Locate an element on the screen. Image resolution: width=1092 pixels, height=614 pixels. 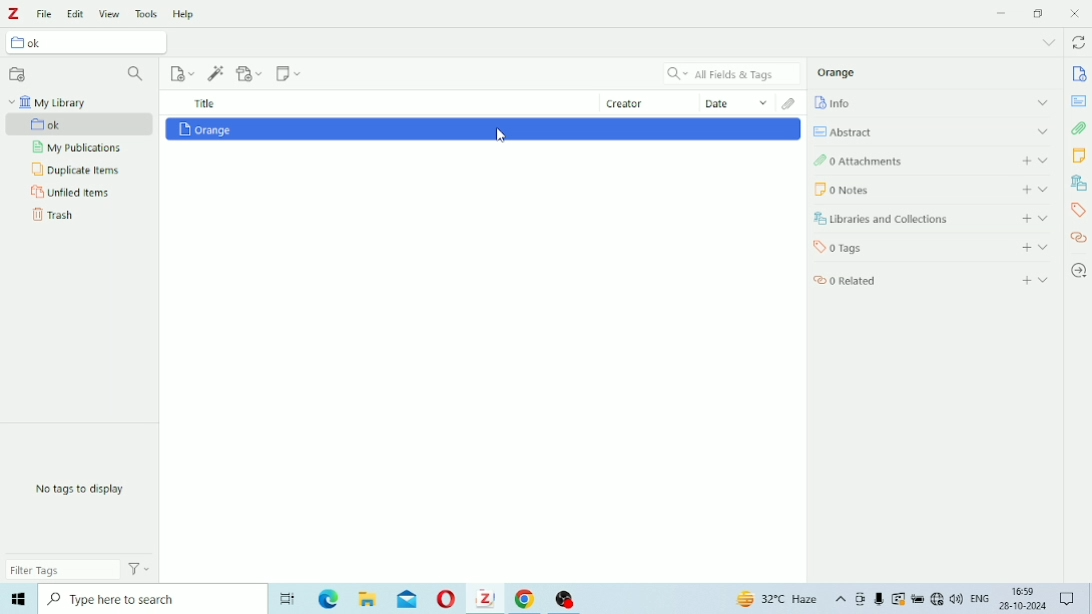
Meet Now is located at coordinates (861, 599).